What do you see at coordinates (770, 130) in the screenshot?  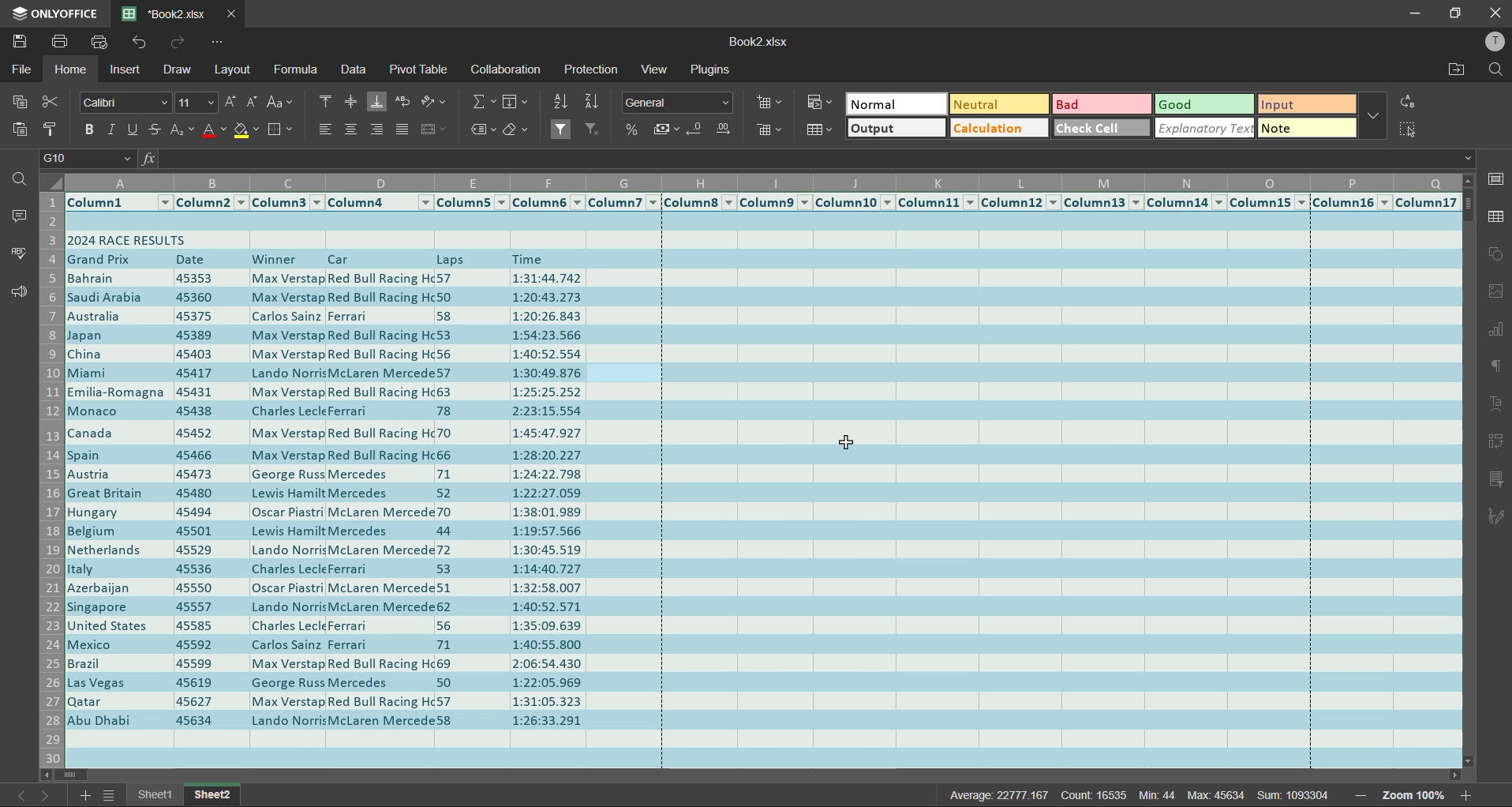 I see `delete cells` at bounding box center [770, 130].